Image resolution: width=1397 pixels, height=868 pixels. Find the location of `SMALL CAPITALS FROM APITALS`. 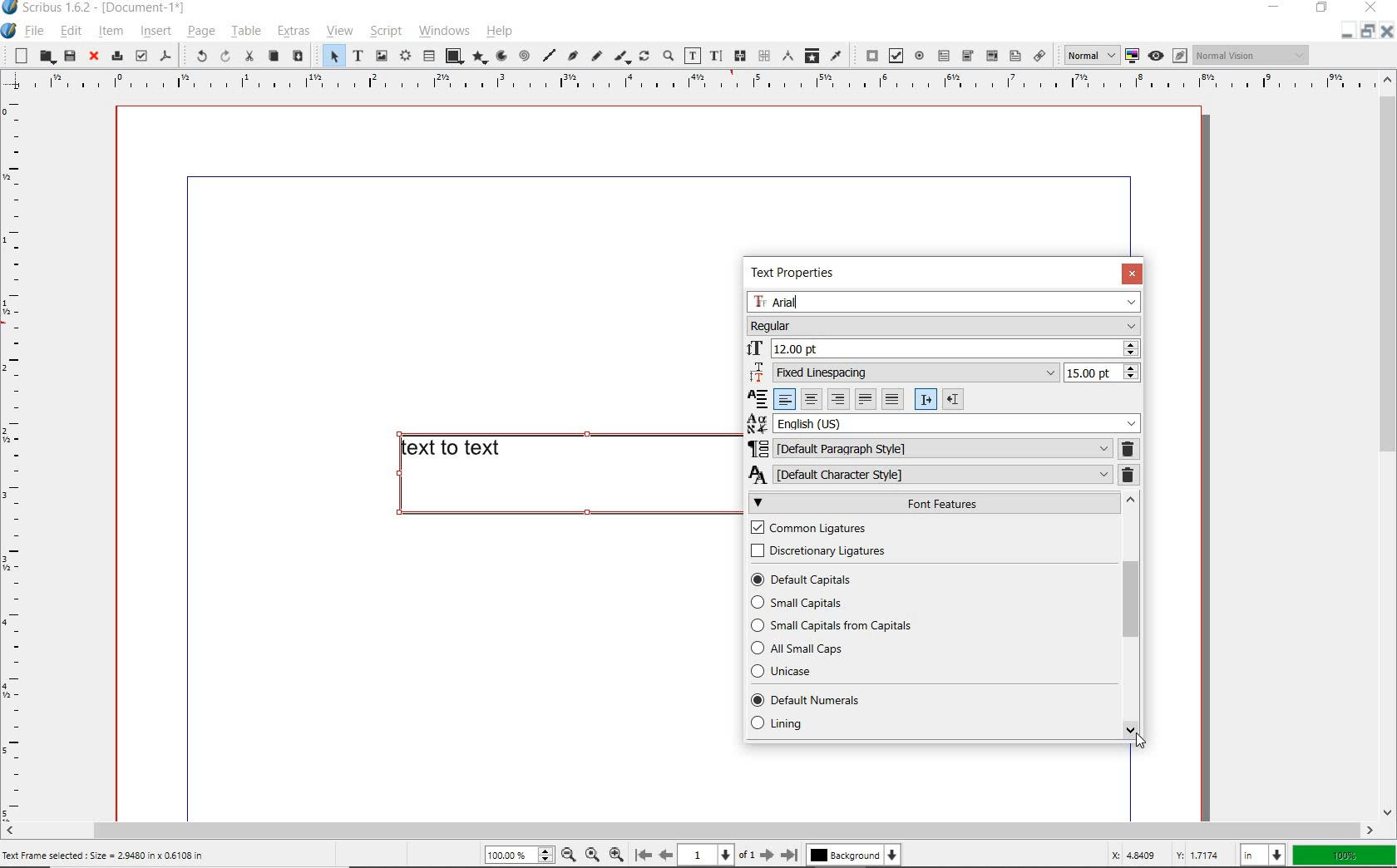

SMALL CAPITALS FROM APITALS is located at coordinates (834, 625).